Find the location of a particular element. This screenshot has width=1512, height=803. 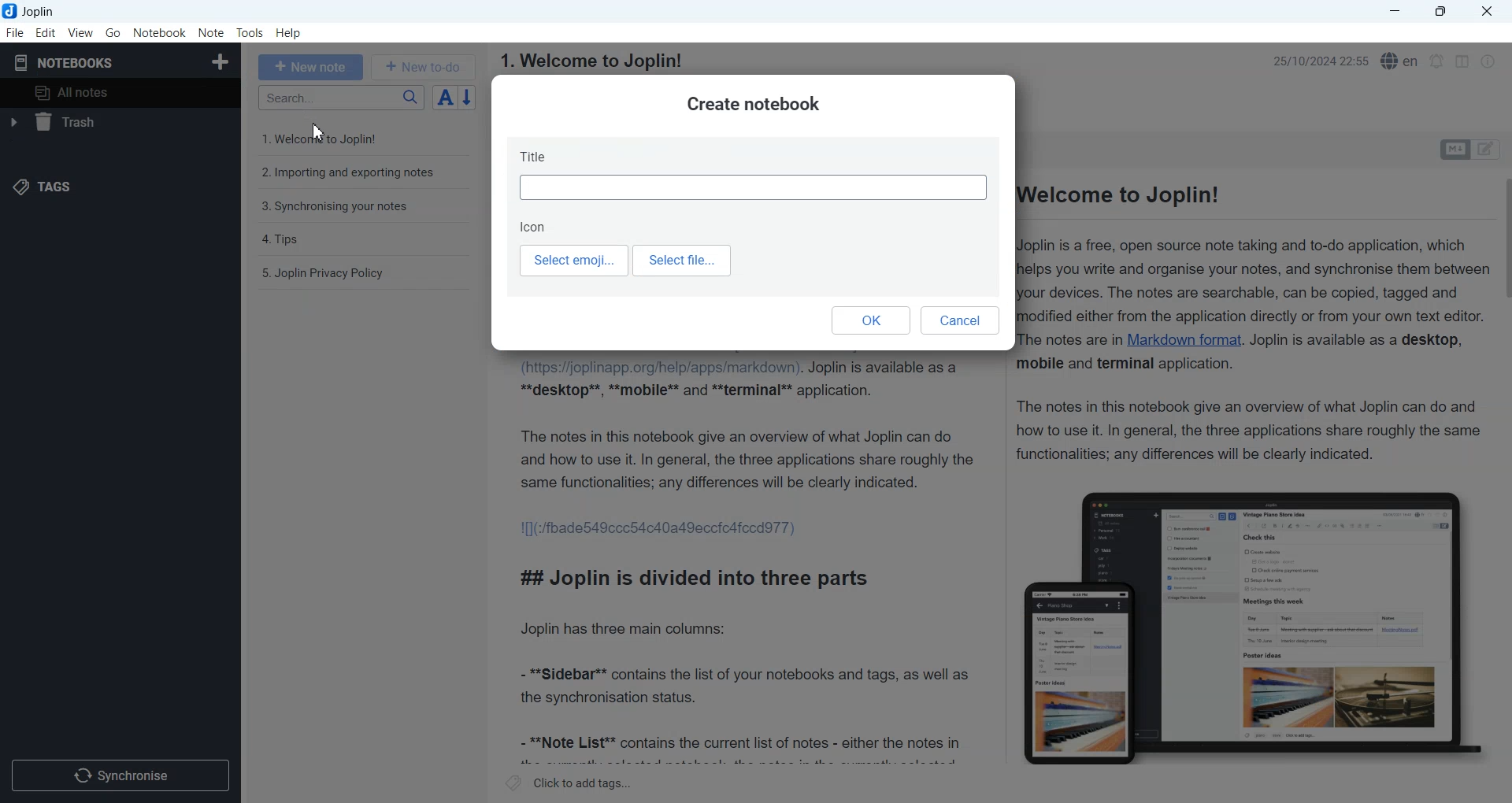

Crate notebook is located at coordinates (753, 105).